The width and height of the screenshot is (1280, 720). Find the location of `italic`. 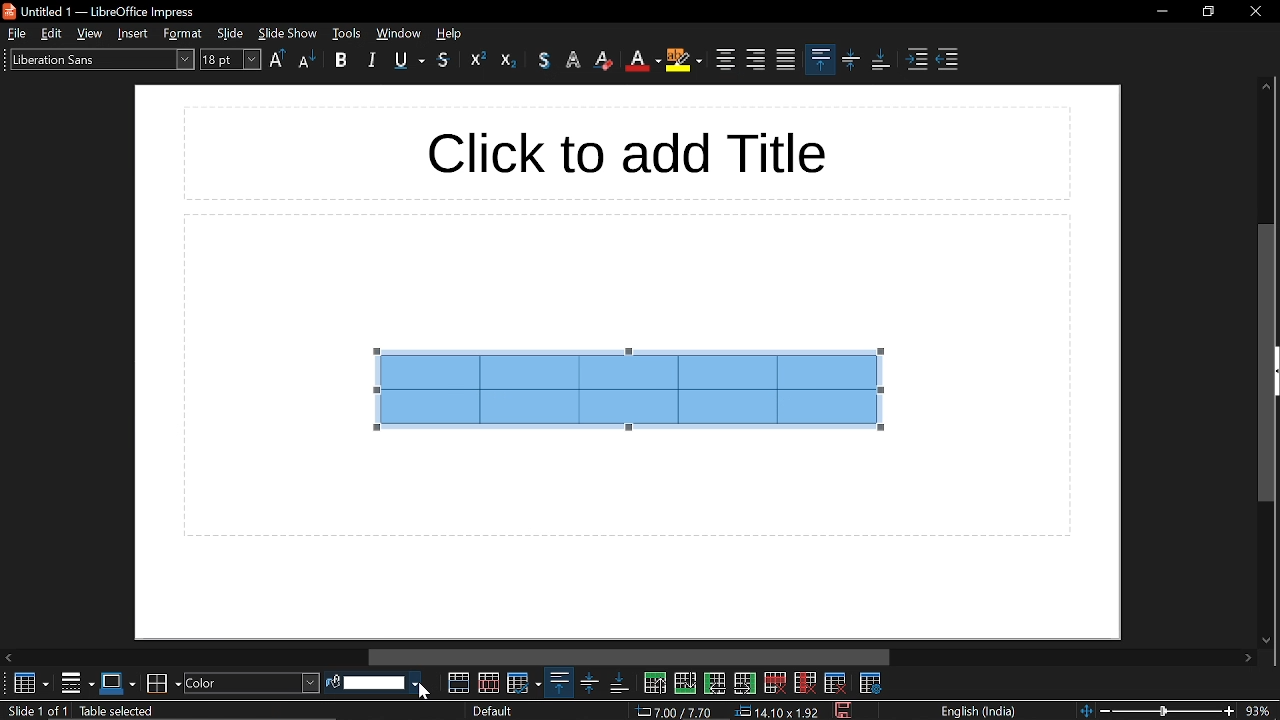

italic is located at coordinates (372, 58).